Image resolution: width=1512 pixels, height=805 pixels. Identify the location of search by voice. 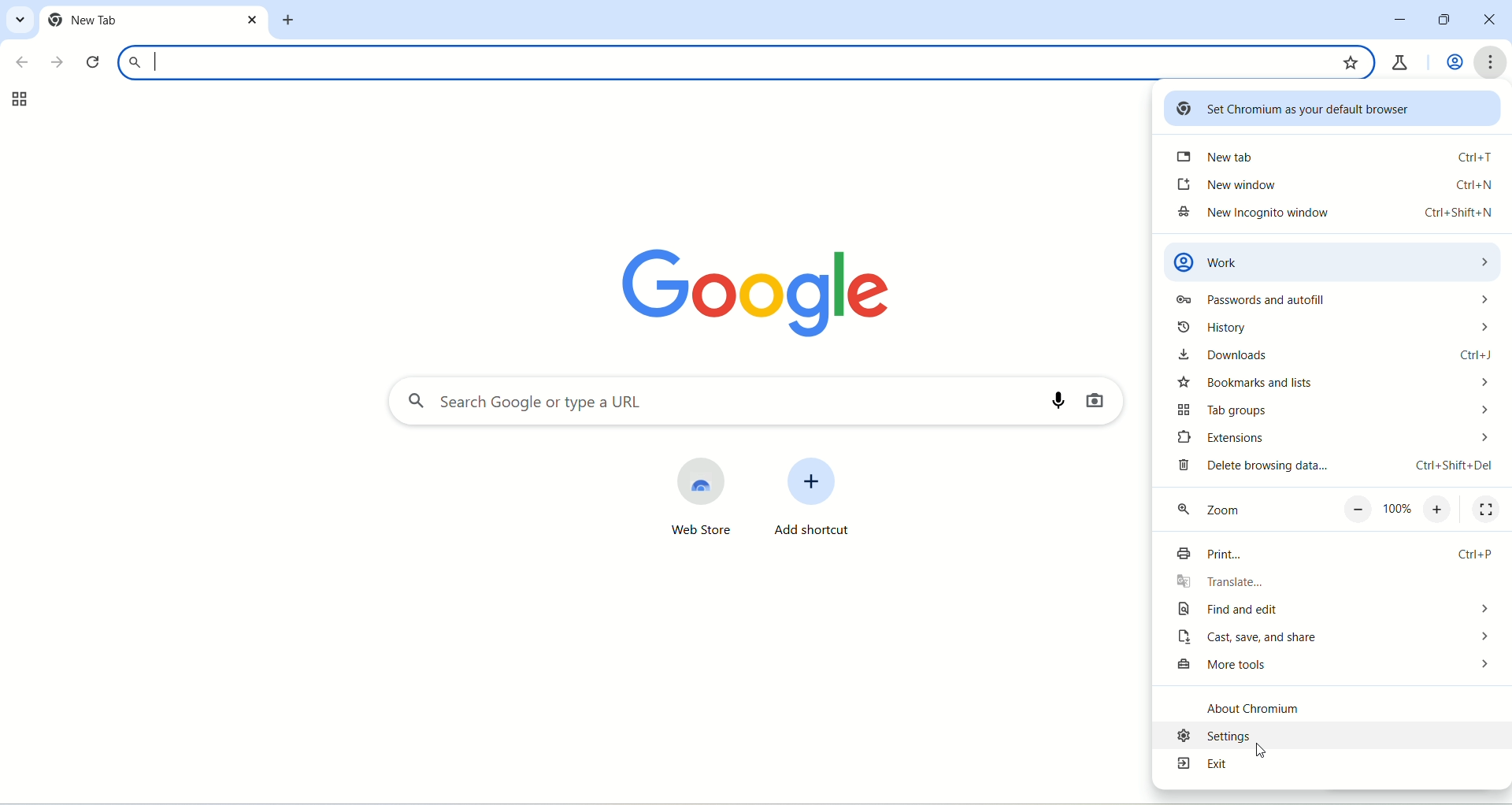
(1051, 401).